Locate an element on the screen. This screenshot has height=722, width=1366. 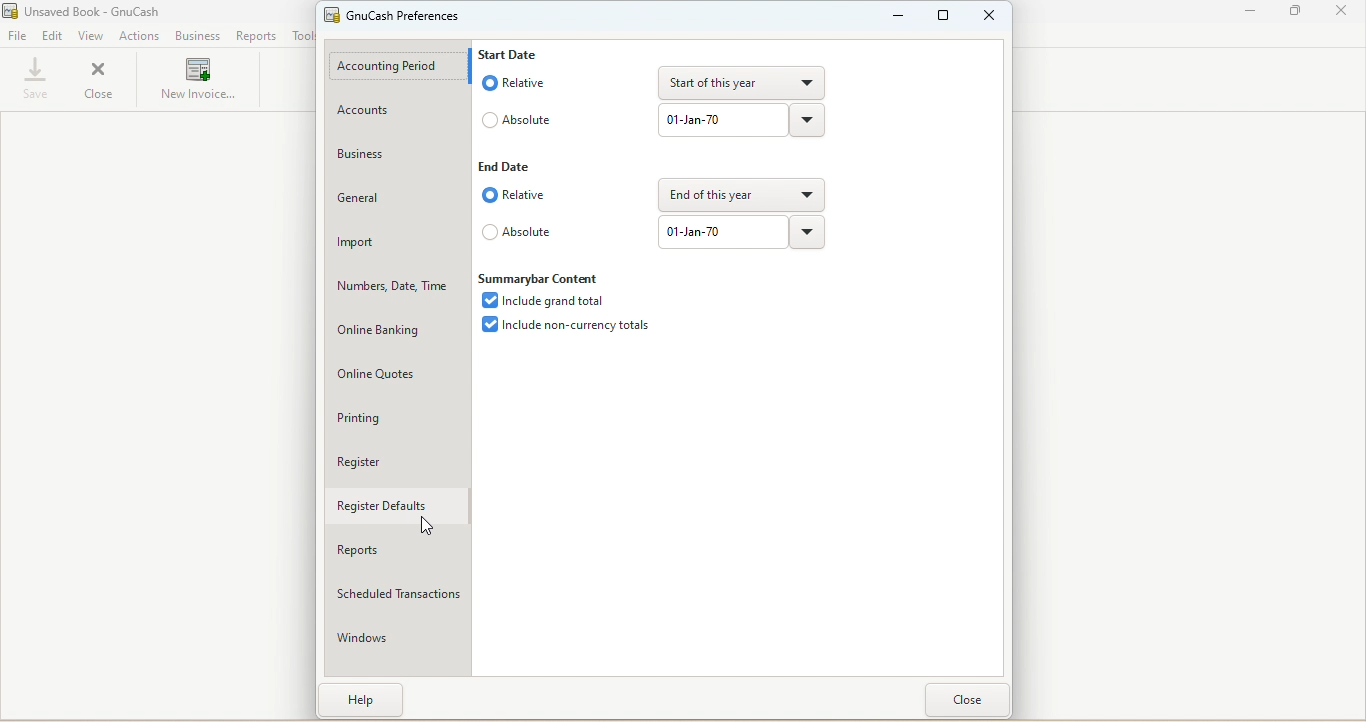
Drop down is located at coordinates (735, 195).